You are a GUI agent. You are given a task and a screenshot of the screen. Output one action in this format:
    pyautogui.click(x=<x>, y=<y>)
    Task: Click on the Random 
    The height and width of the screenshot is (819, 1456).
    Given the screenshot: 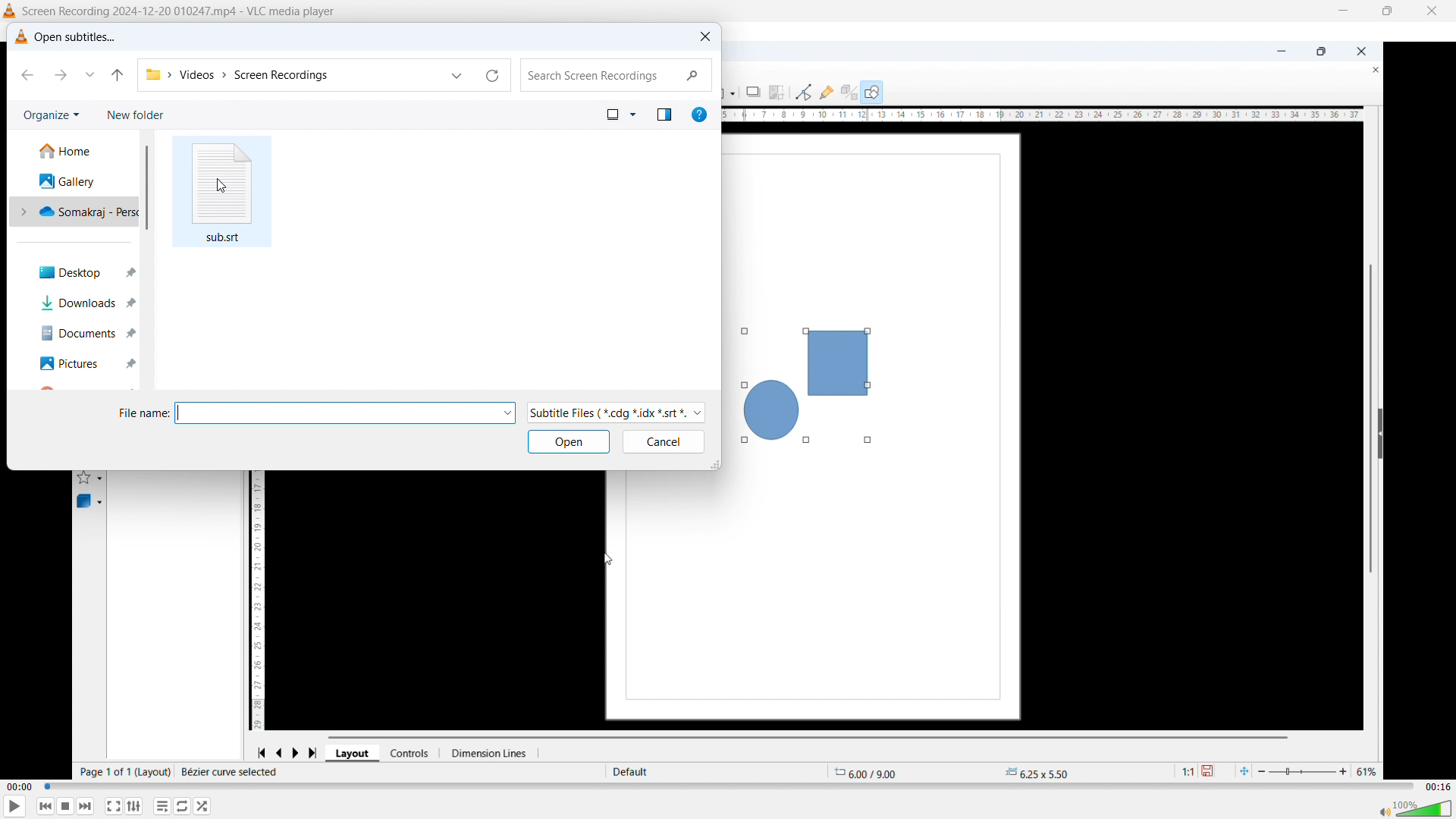 What is the action you would take?
    pyautogui.click(x=203, y=806)
    